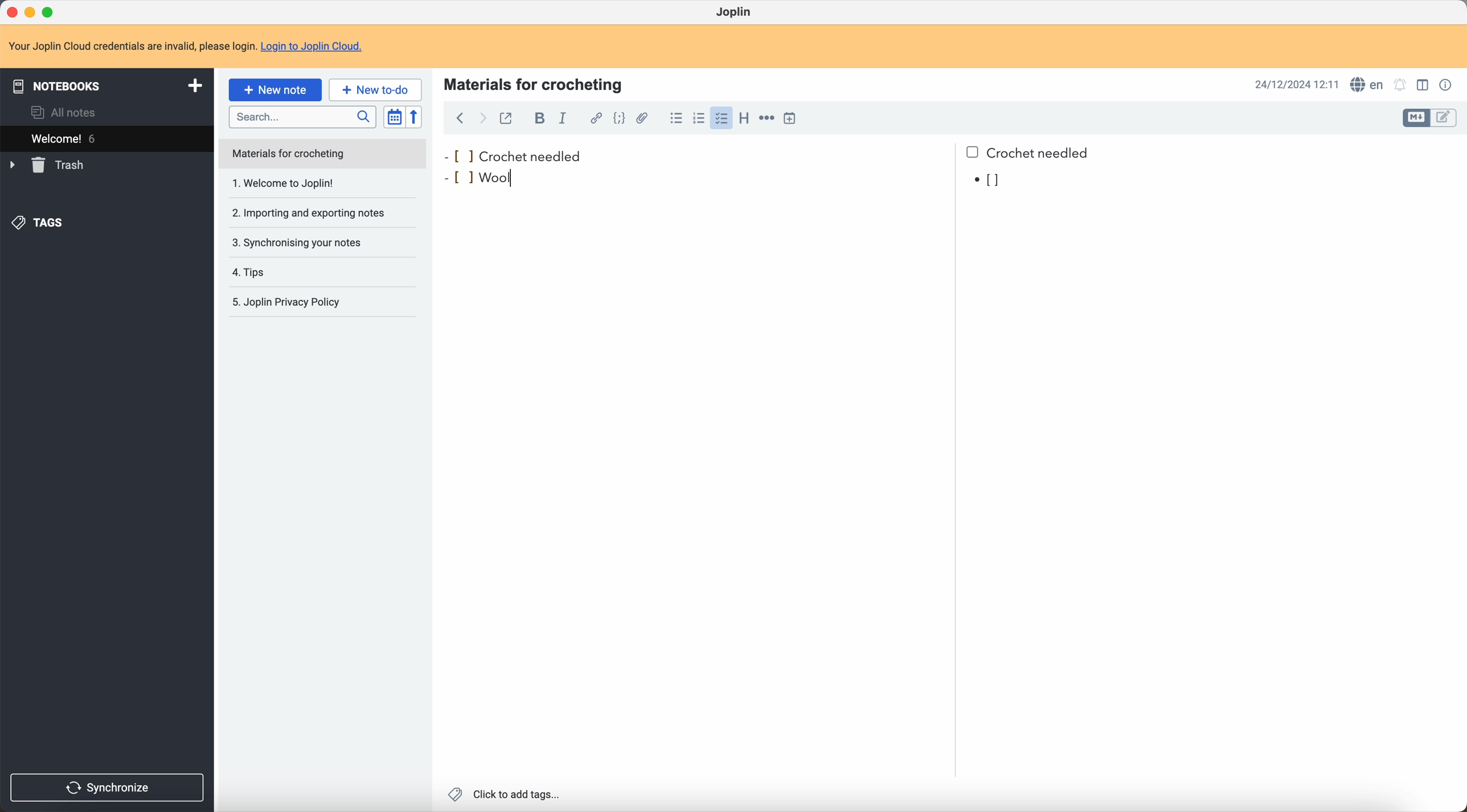 This screenshot has width=1467, height=812. Describe the element at coordinates (49, 165) in the screenshot. I see `trash` at that location.